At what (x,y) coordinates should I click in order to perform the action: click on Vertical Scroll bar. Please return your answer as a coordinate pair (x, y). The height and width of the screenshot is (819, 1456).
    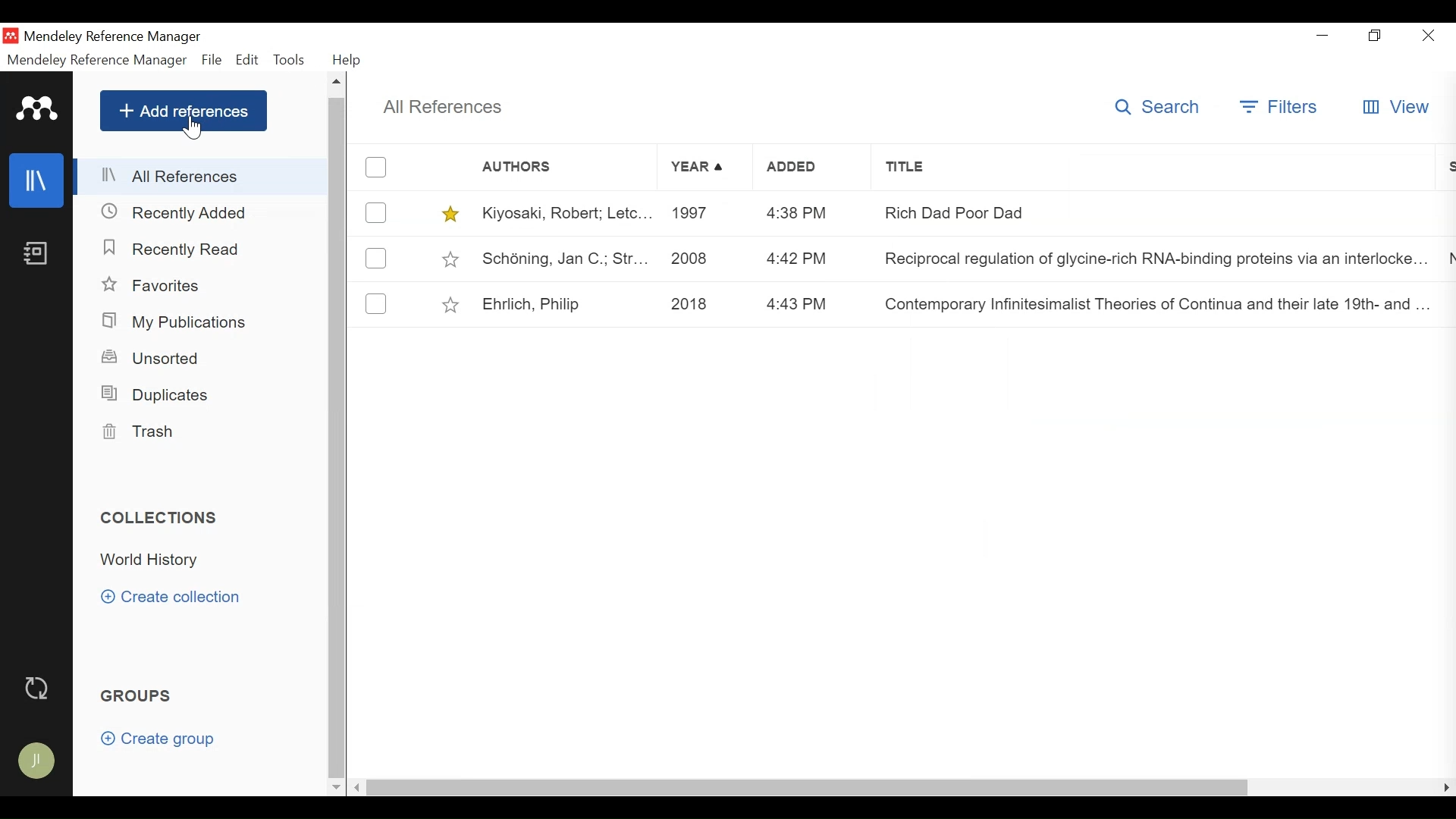
    Looking at the image, I should click on (336, 438).